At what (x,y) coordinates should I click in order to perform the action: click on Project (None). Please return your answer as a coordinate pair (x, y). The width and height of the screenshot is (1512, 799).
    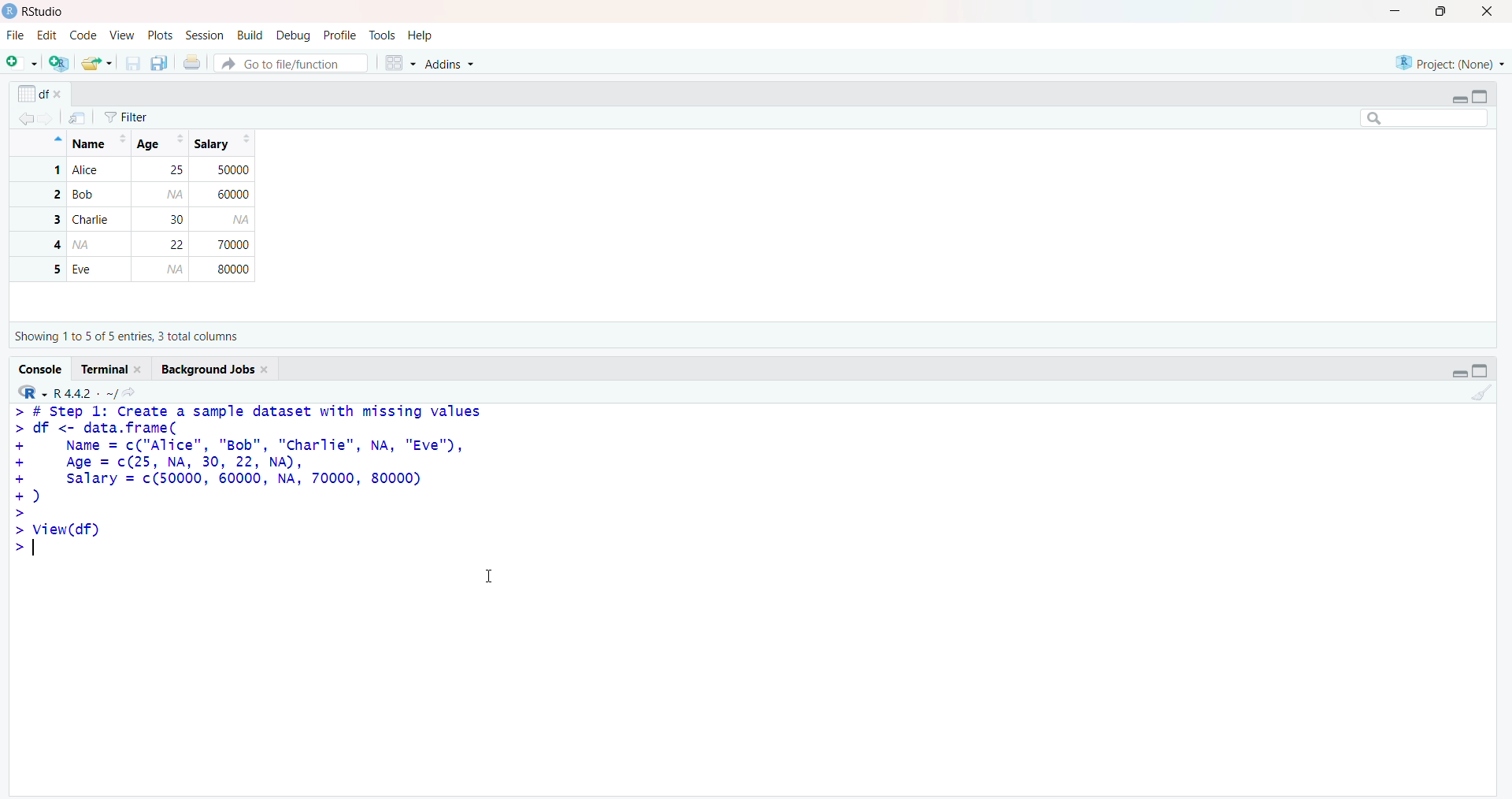
    Looking at the image, I should click on (1449, 62).